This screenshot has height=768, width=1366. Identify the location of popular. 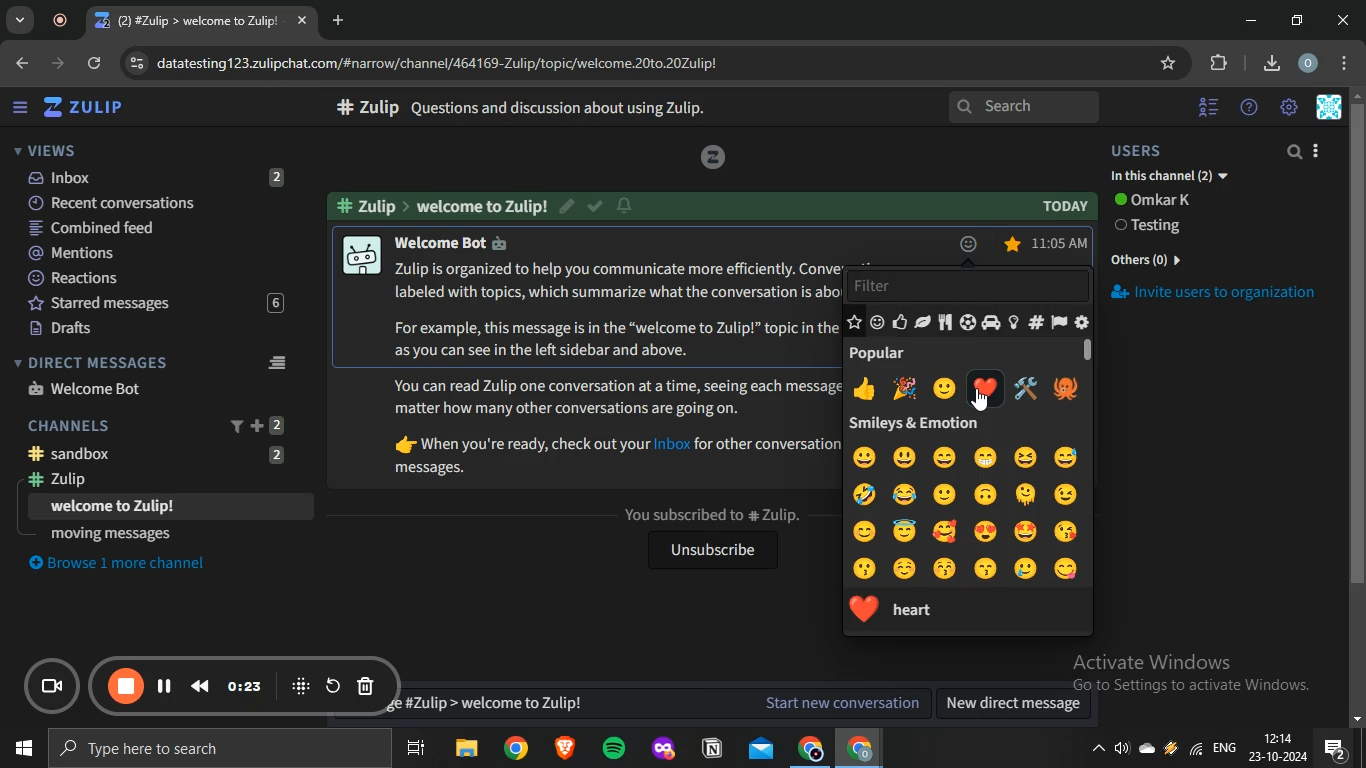
(880, 353).